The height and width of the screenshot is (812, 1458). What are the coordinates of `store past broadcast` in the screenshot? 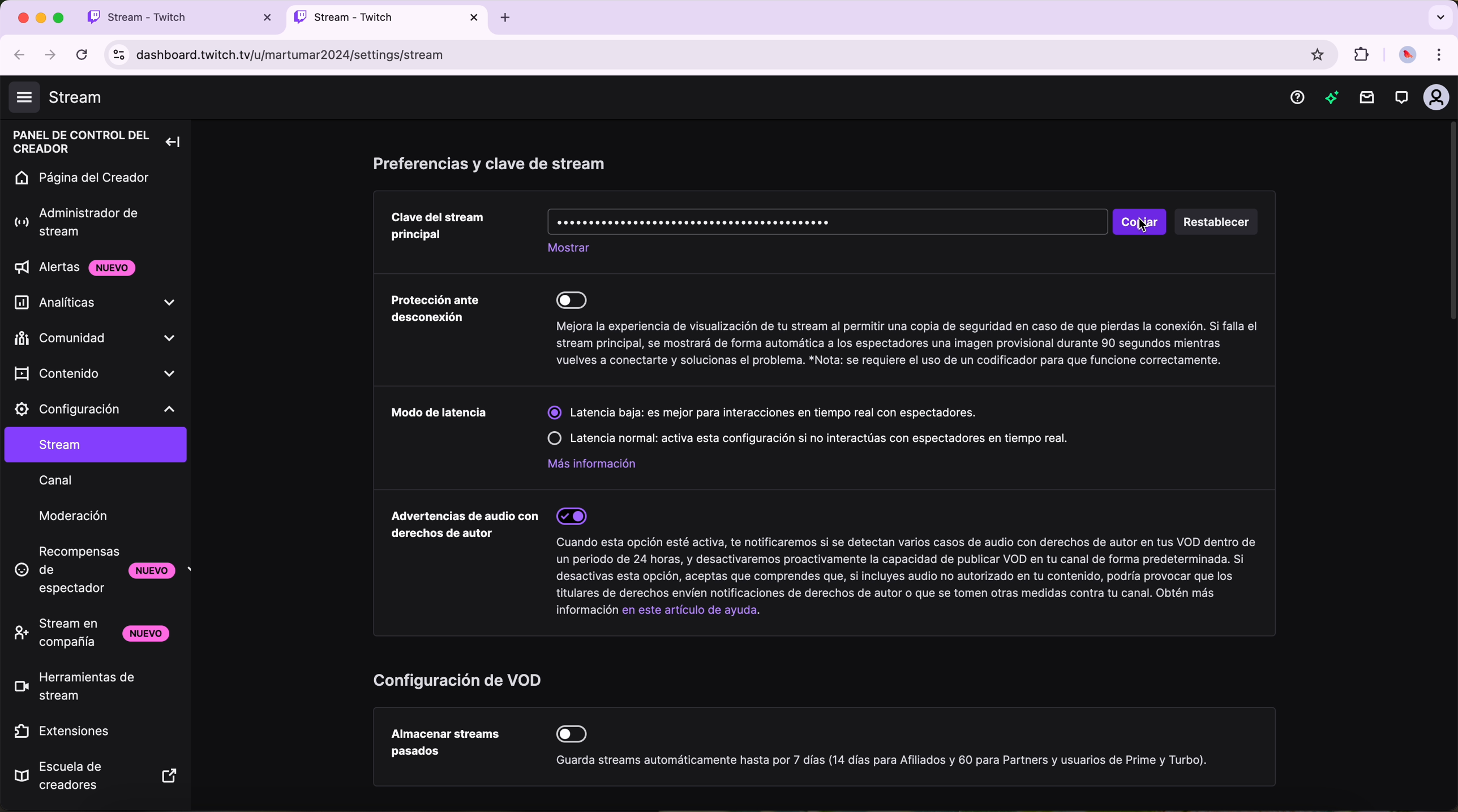 It's located at (445, 743).